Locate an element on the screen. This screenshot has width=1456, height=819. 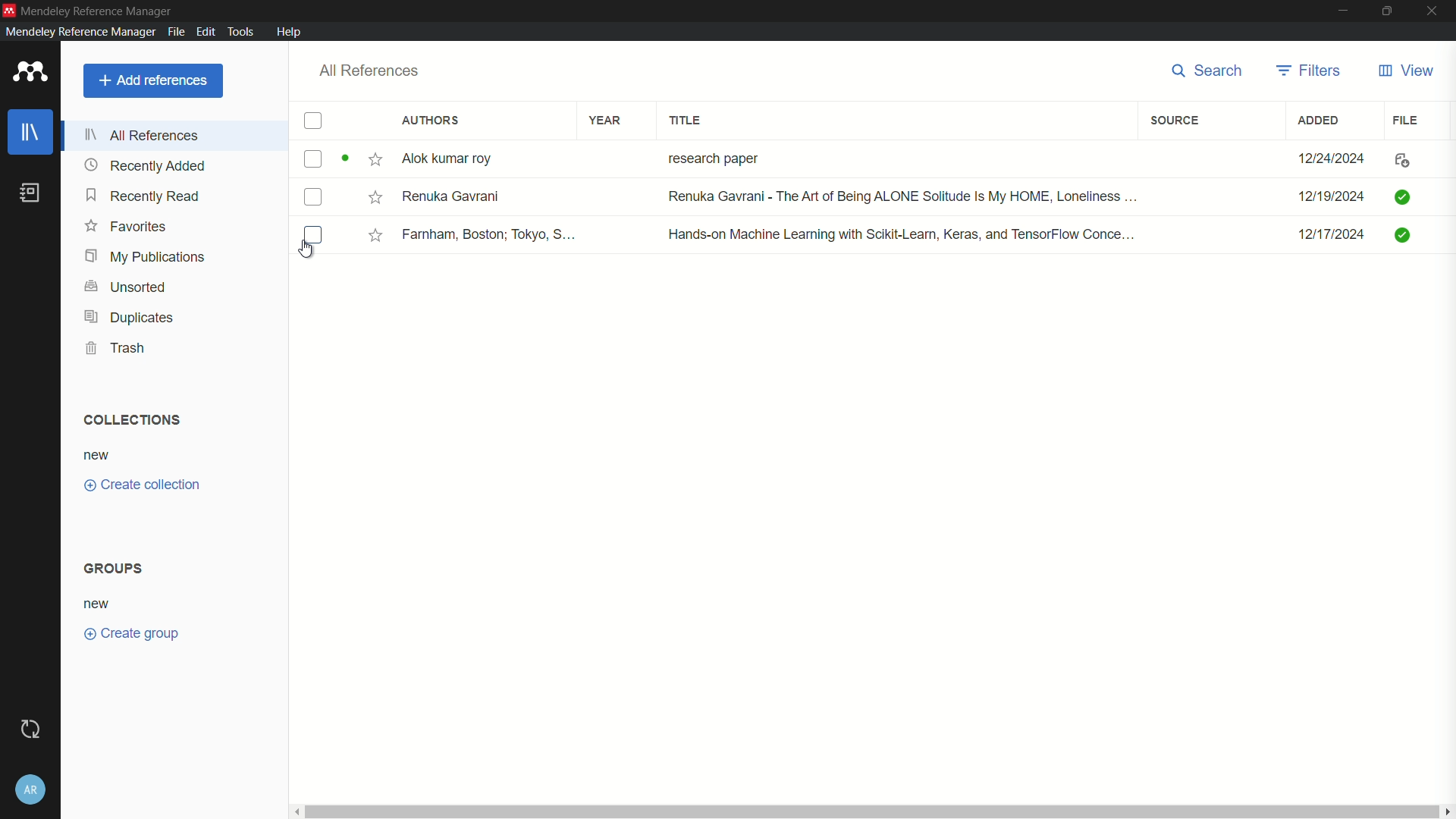
title is located at coordinates (686, 119).